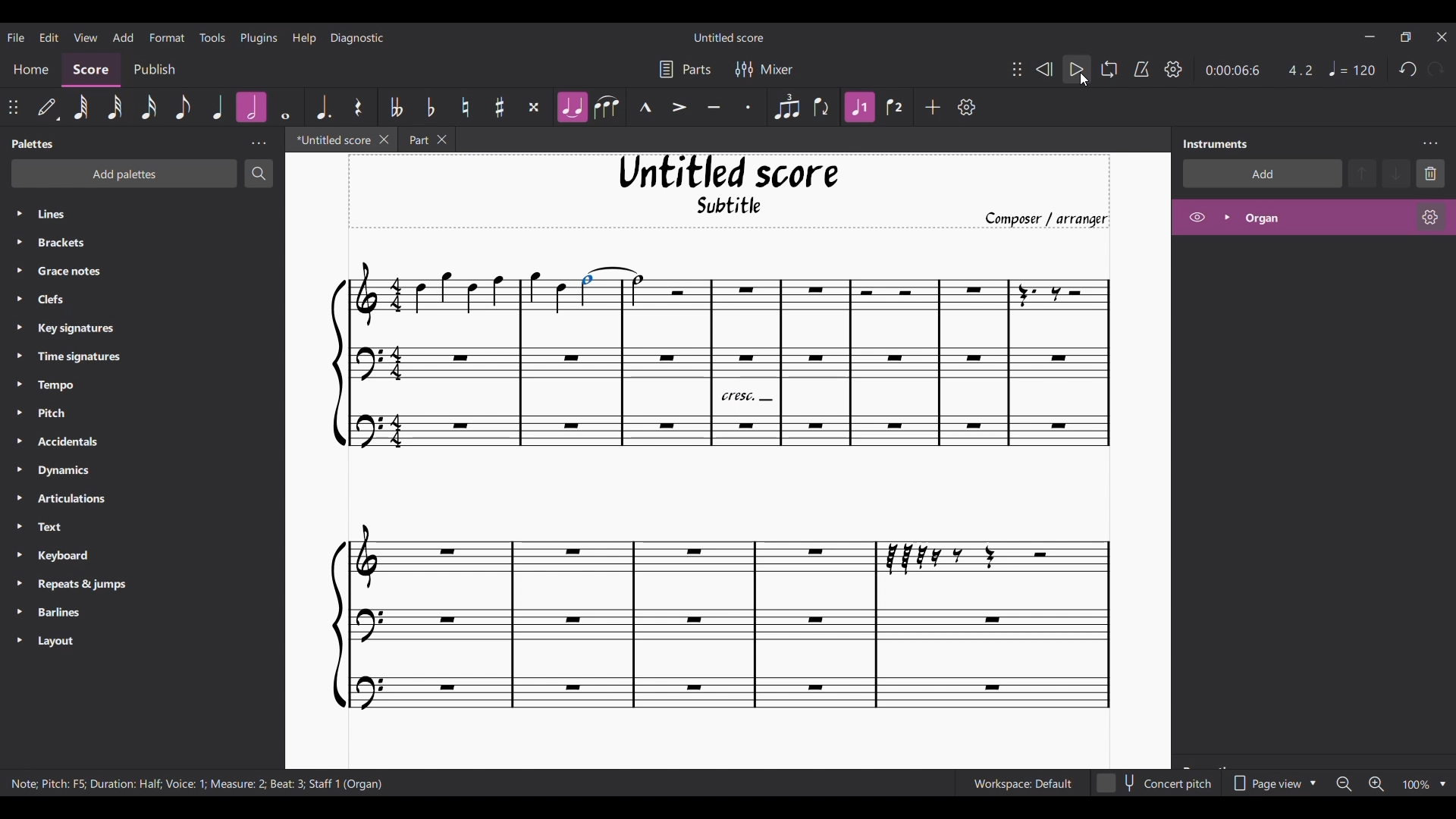  Describe the element at coordinates (16, 37) in the screenshot. I see `File menu` at that location.